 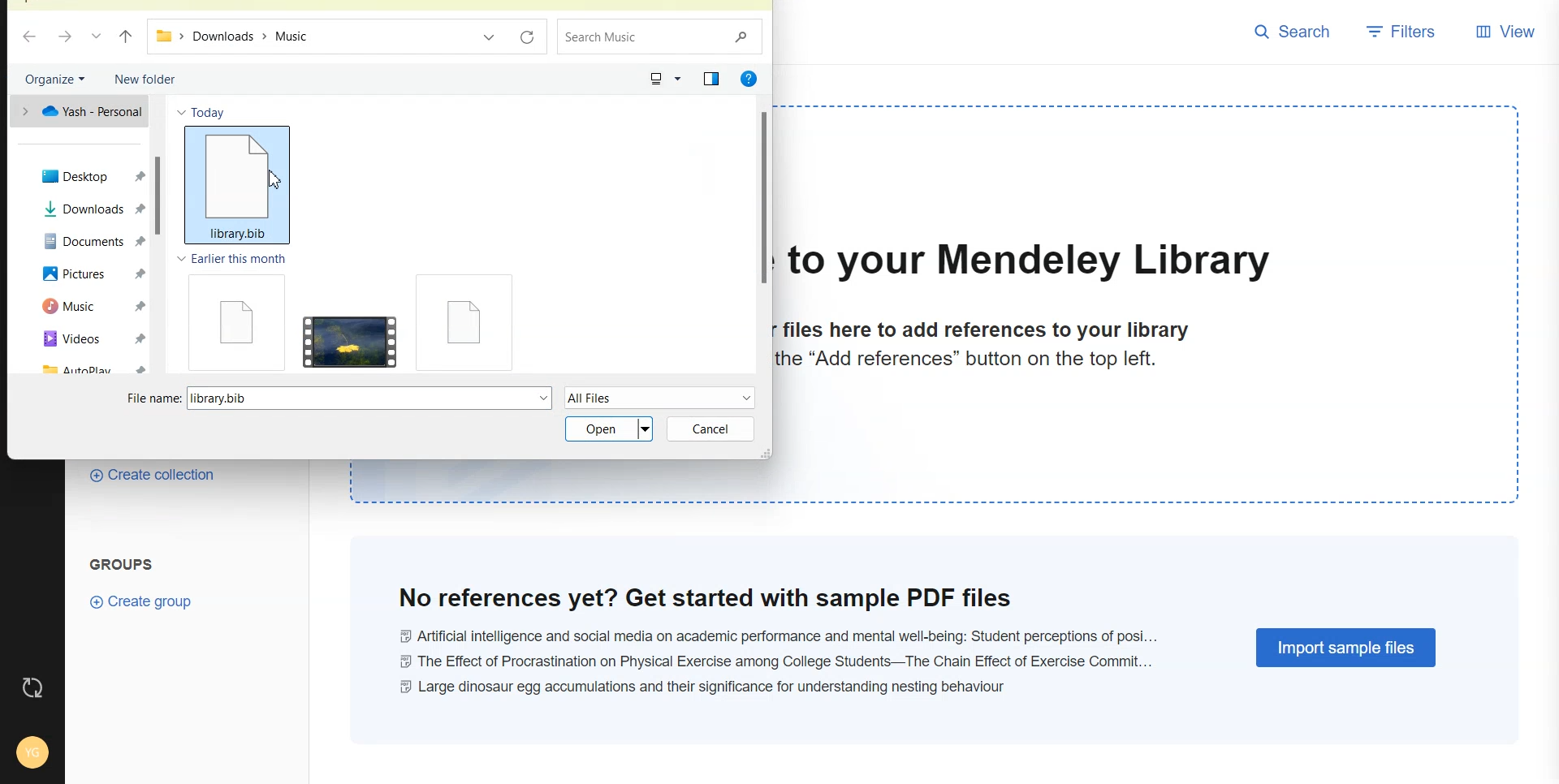 What do you see at coordinates (1348, 648) in the screenshot?
I see `Import Sample Files` at bounding box center [1348, 648].